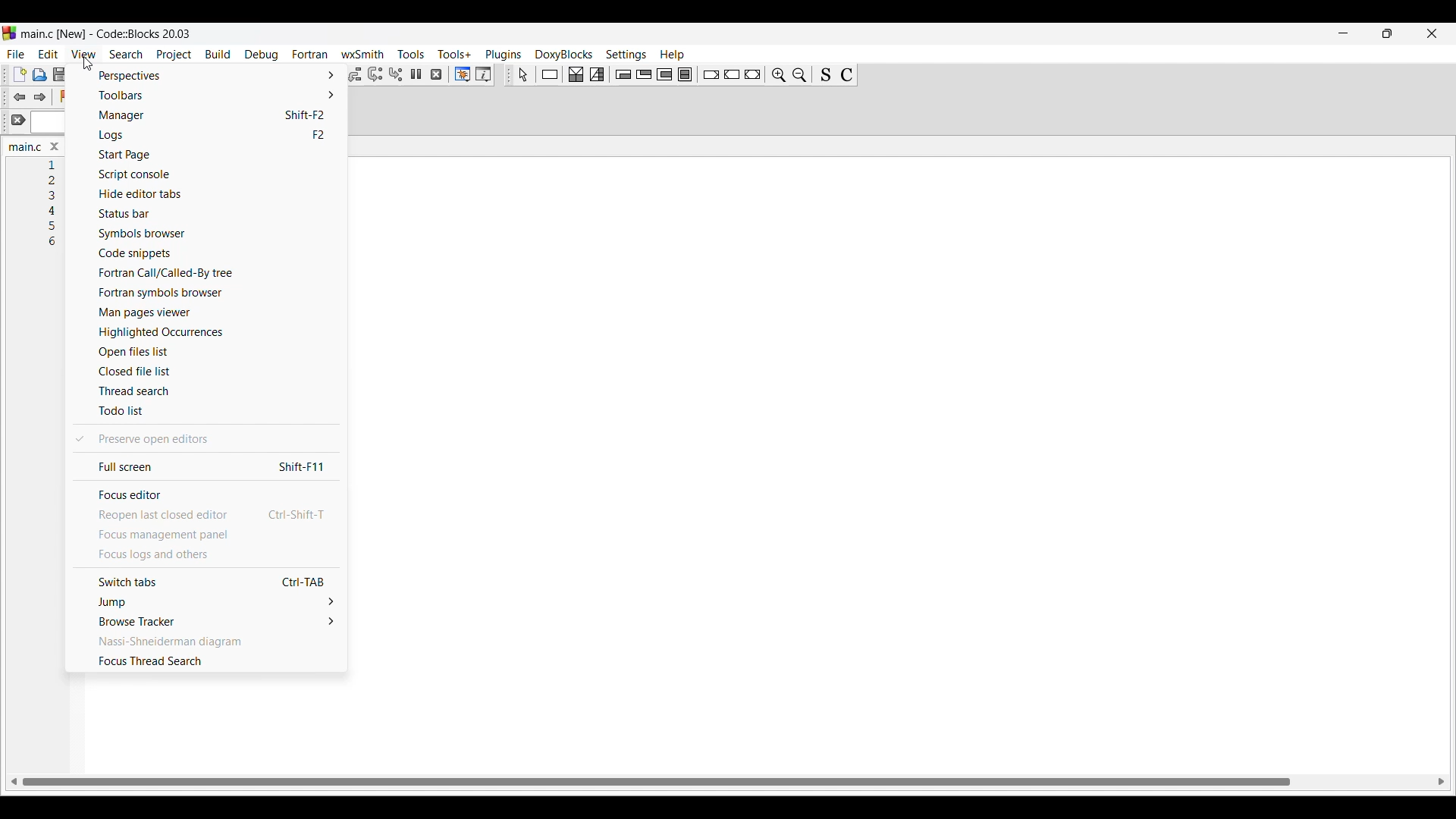 The image size is (1456, 819). I want to click on View menu, so click(83, 54).